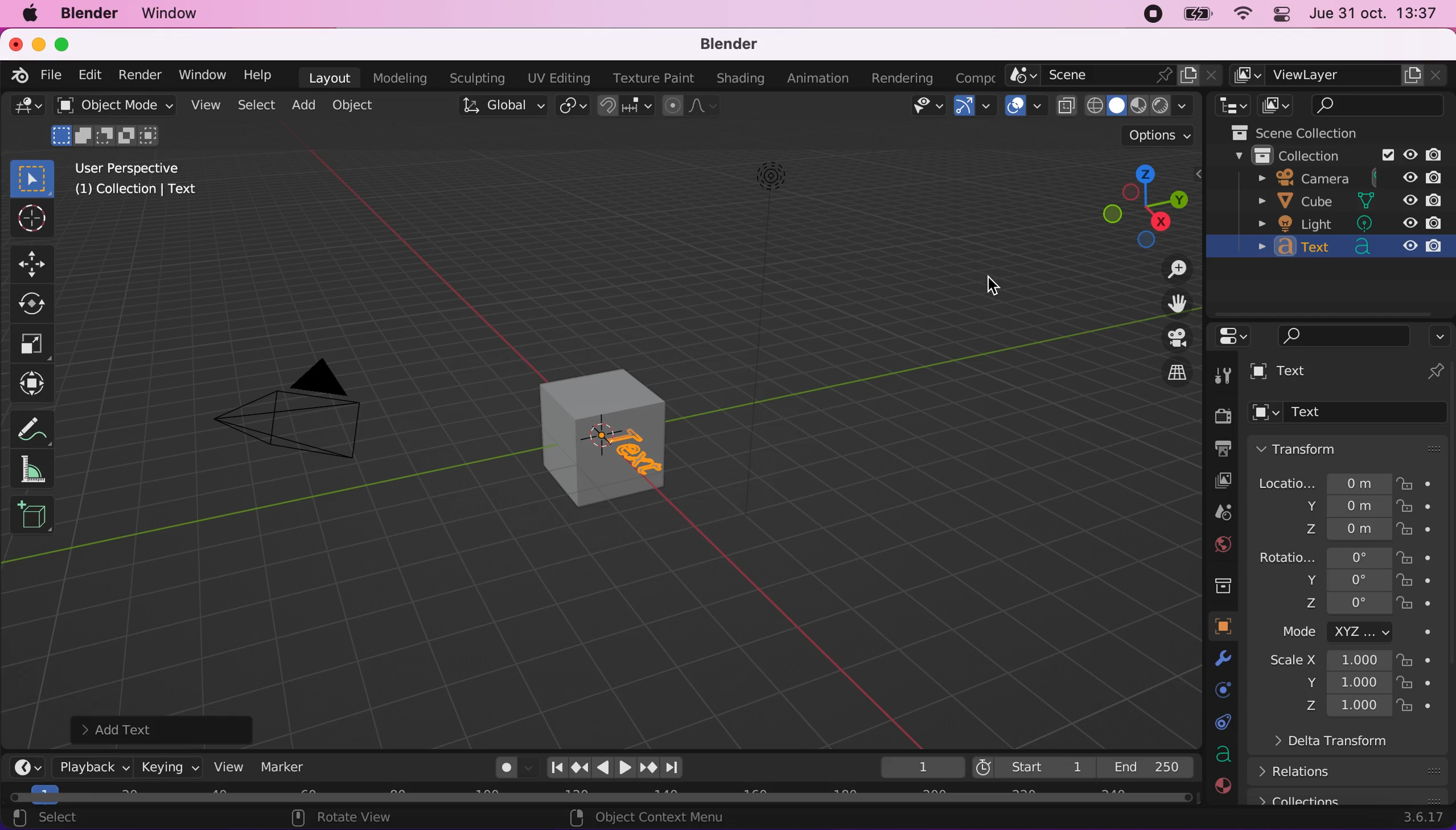 This screenshot has height=830, width=1456. Describe the element at coordinates (1168, 369) in the screenshot. I see `switch current view` at that location.